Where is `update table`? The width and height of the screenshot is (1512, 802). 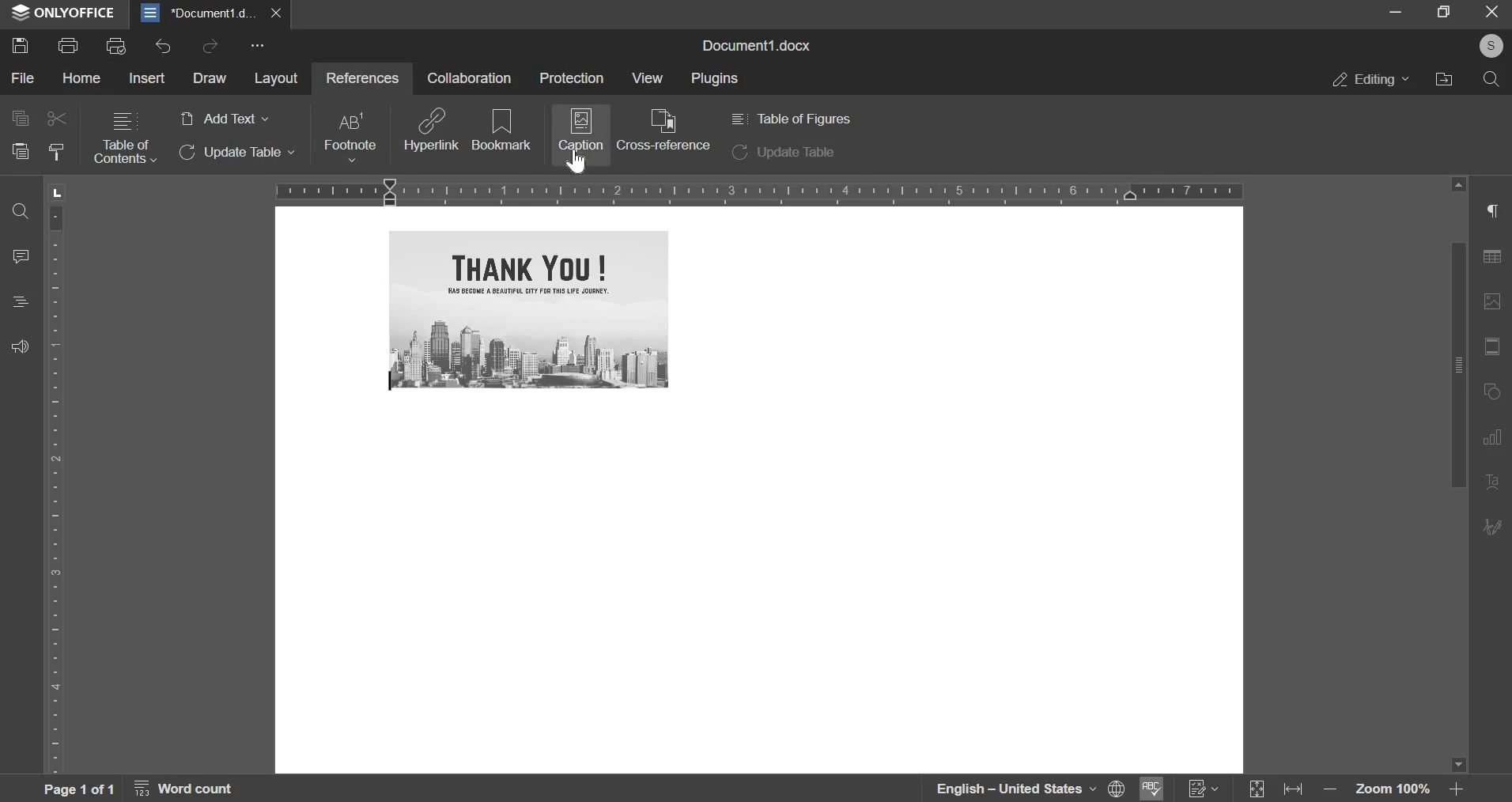
update table is located at coordinates (784, 153).